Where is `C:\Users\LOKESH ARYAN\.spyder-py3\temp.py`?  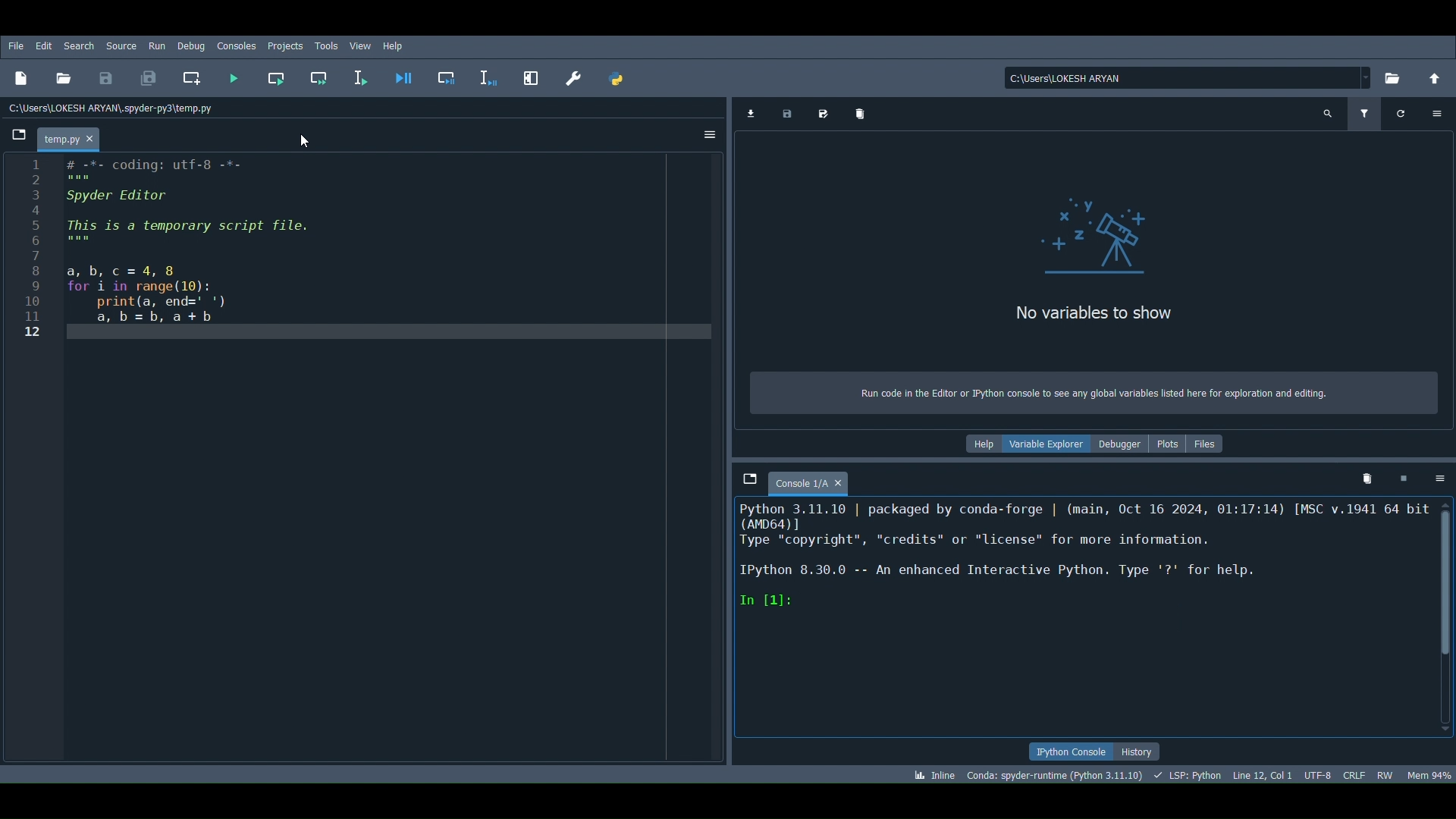
C:\Users\LOKESH ARYAN\.spyder-py3\temp.py is located at coordinates (116, 108).